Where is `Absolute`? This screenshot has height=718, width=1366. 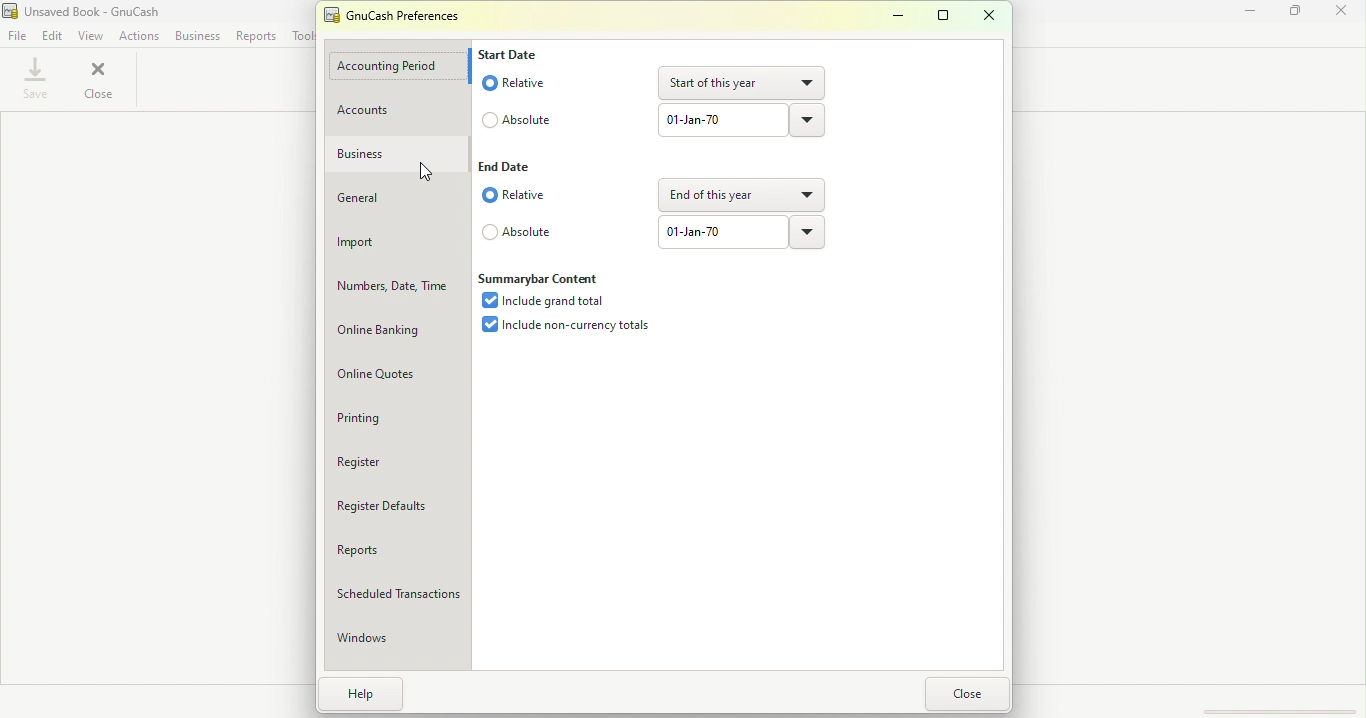 Absolute is located at coordinates (519, 230).